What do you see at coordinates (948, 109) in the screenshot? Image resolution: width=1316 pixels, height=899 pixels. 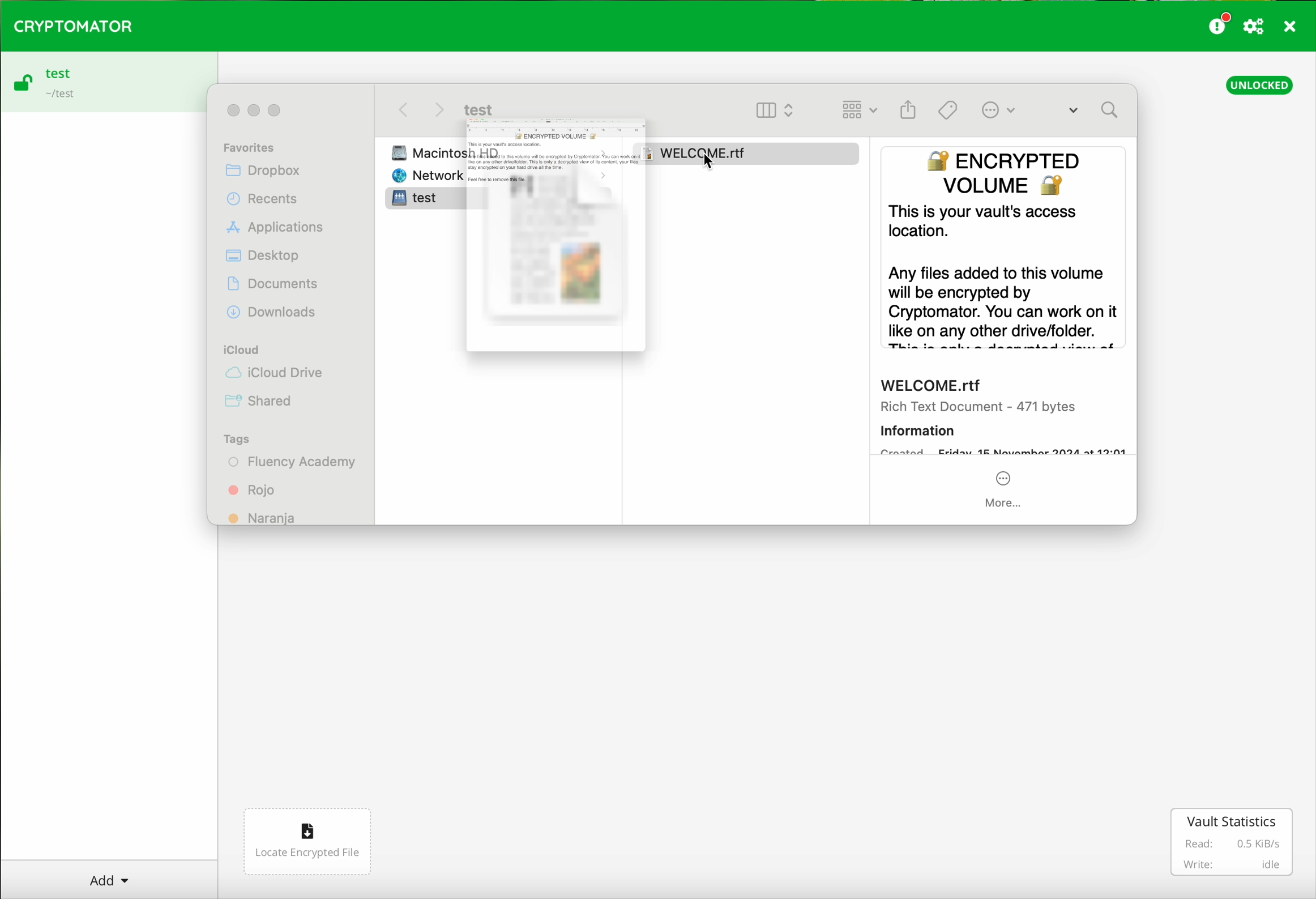 I see `Tags` at bounding box center [948, 109].